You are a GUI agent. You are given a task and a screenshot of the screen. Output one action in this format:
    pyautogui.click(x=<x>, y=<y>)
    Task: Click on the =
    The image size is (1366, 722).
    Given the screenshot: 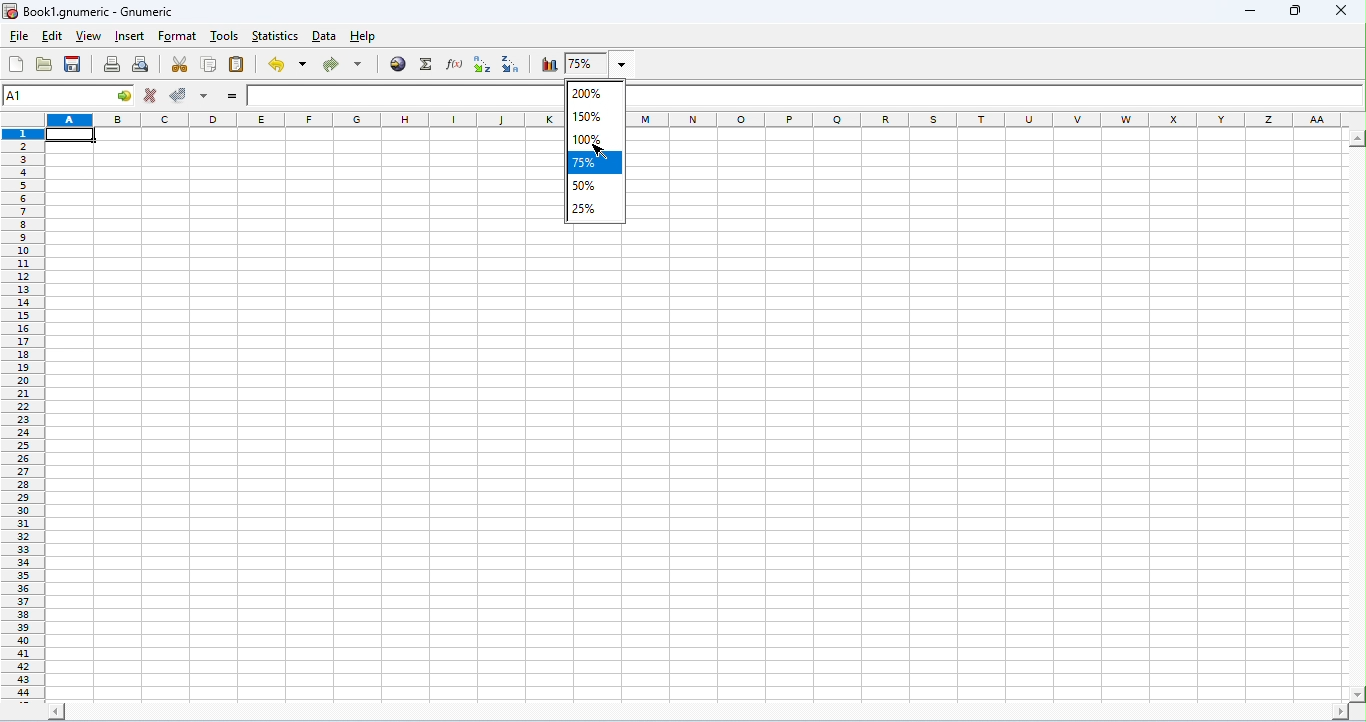 What is the action you would take?
    pyautogui.click(x=232, y=96)
    